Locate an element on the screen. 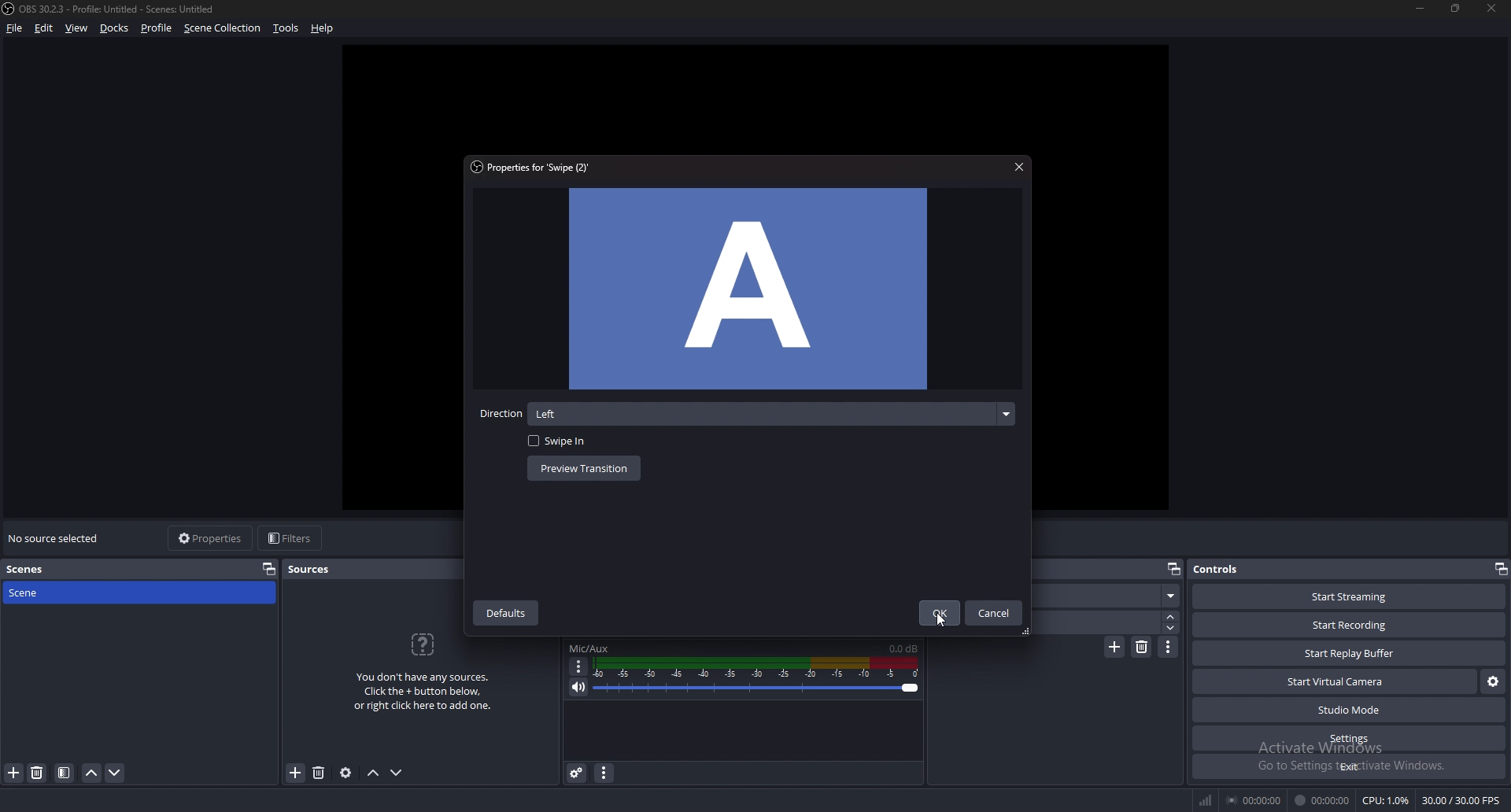 This screenshot has height=812, width=1511. advanced audio properties is located at coordinates (577, 773).